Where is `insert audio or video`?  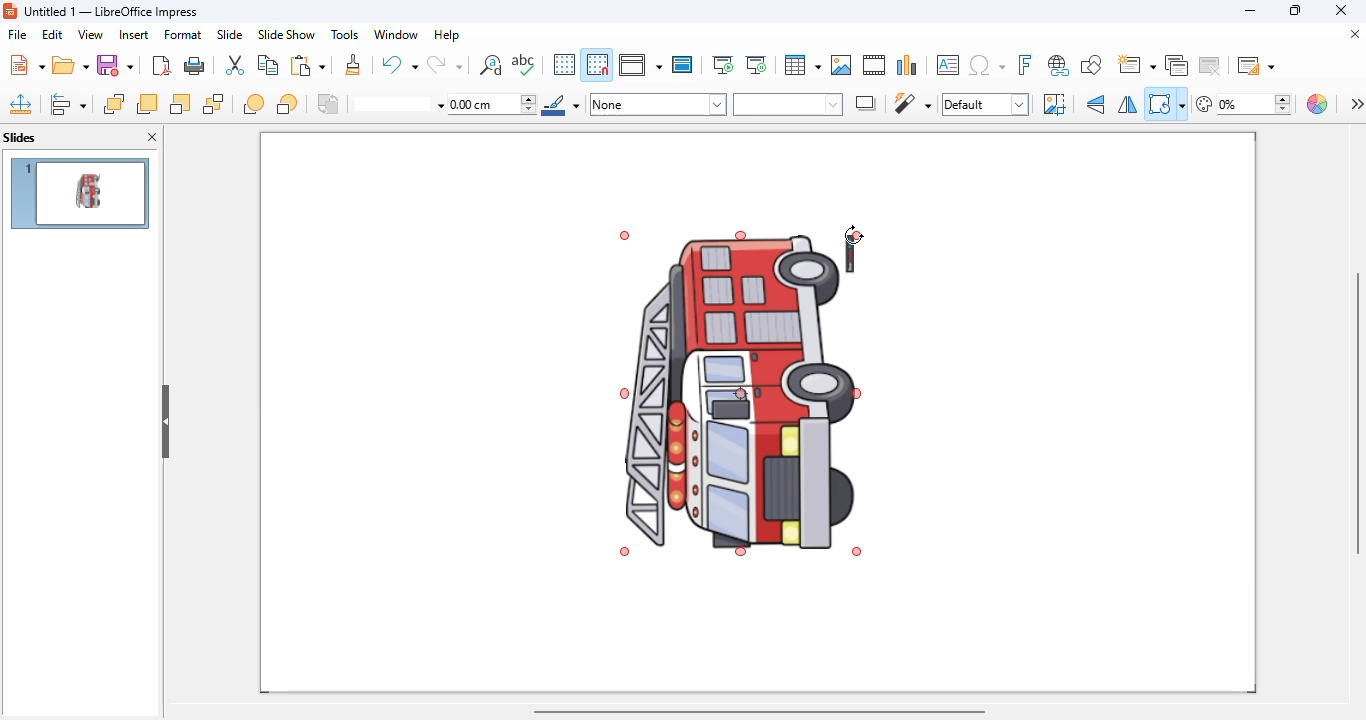
insert audio or video is located at coordinates (874, 65).